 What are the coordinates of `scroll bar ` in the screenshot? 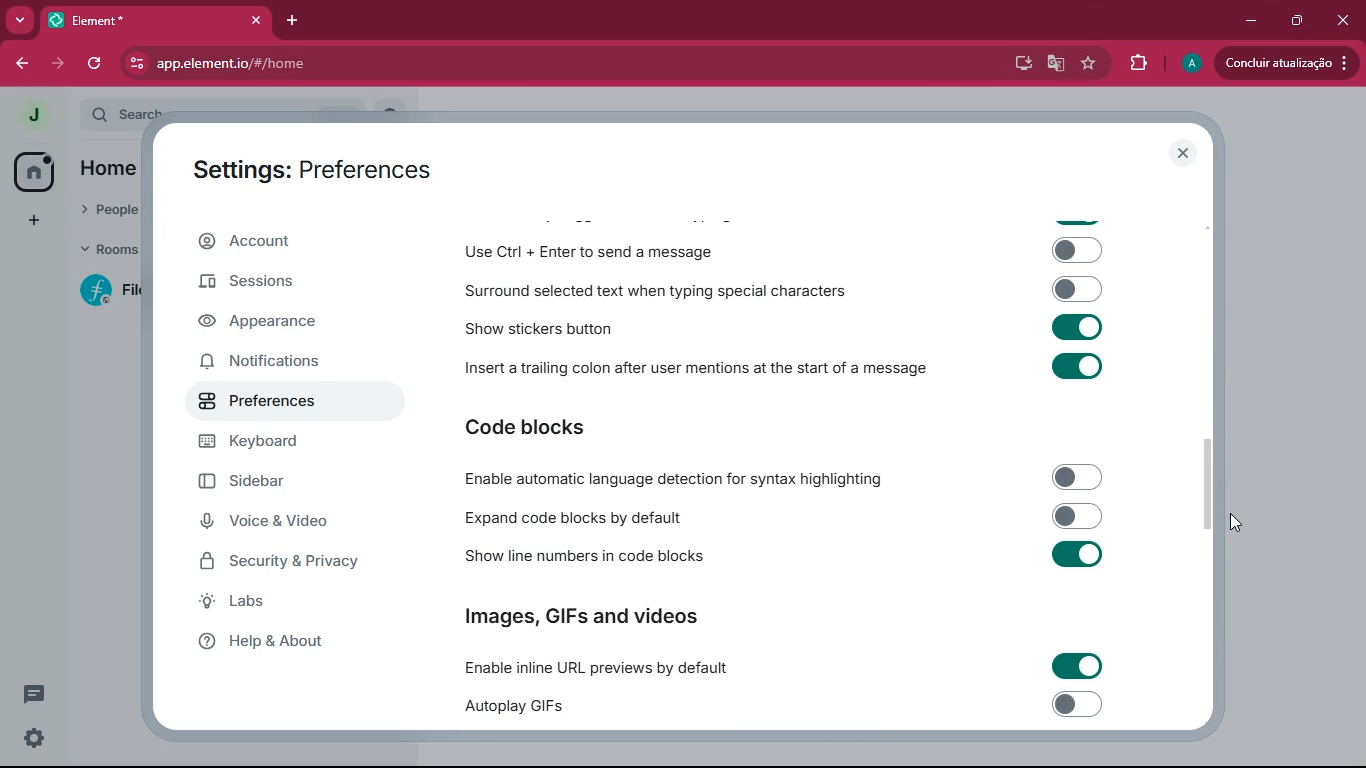 It's located at (1200, 483).